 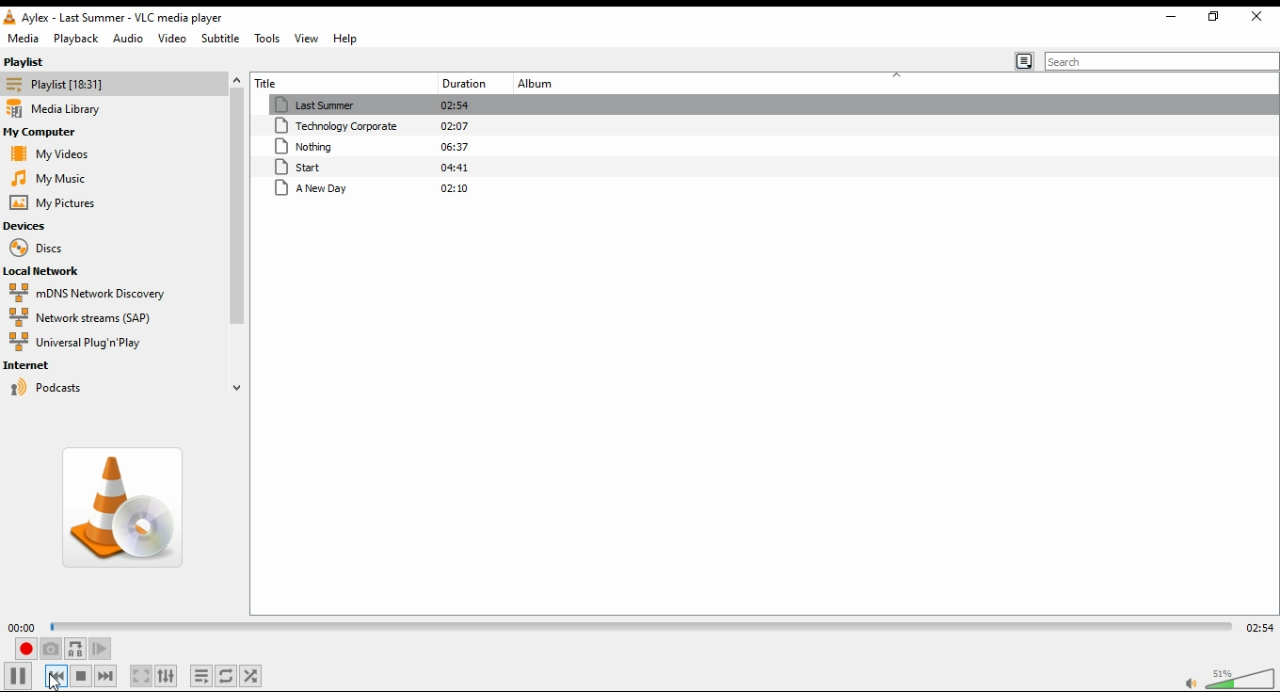 I want to click on close window, so click(x=1257, y=16).